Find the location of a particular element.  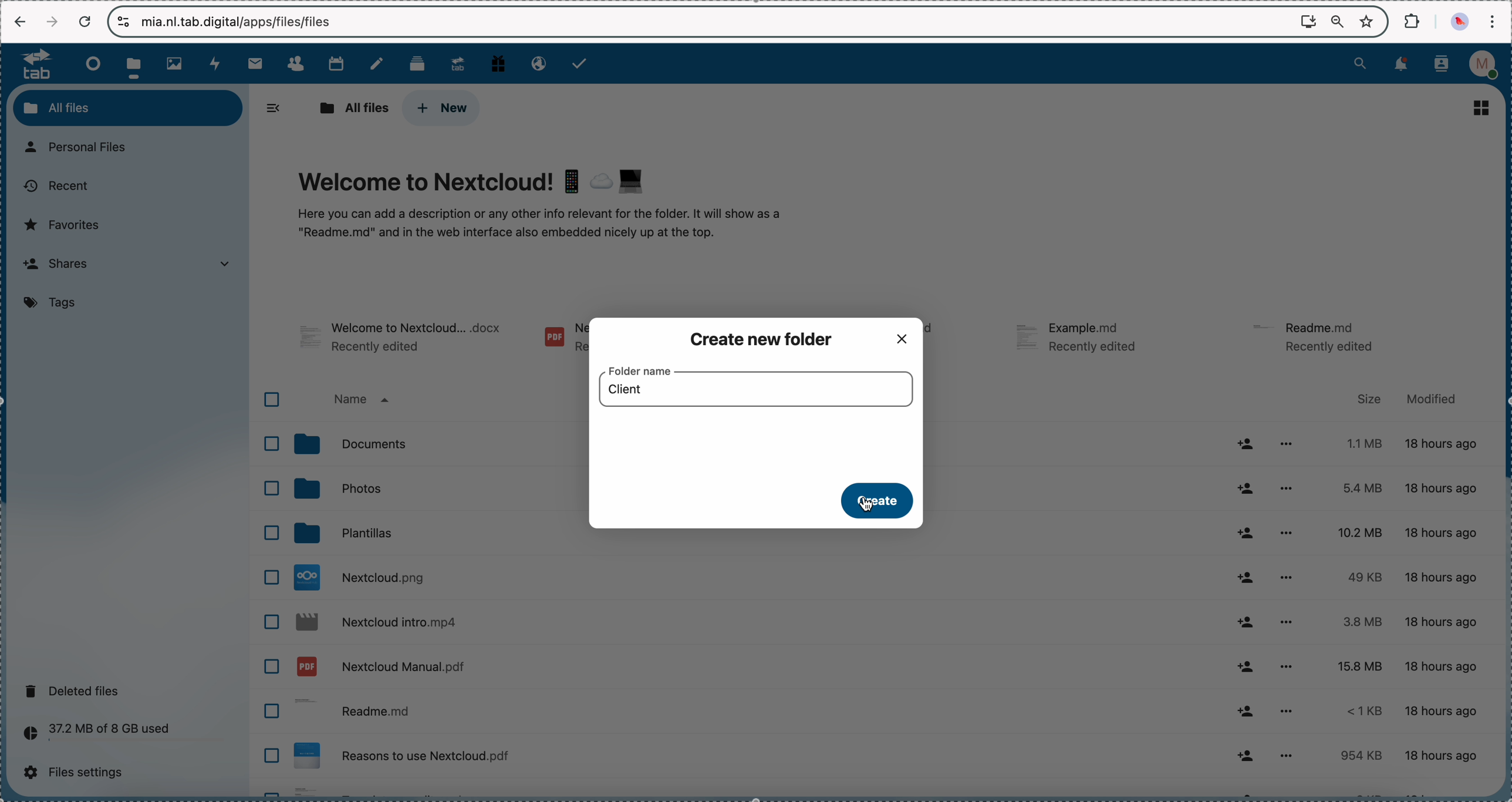

notifications is located at coordinates (1399, 65).